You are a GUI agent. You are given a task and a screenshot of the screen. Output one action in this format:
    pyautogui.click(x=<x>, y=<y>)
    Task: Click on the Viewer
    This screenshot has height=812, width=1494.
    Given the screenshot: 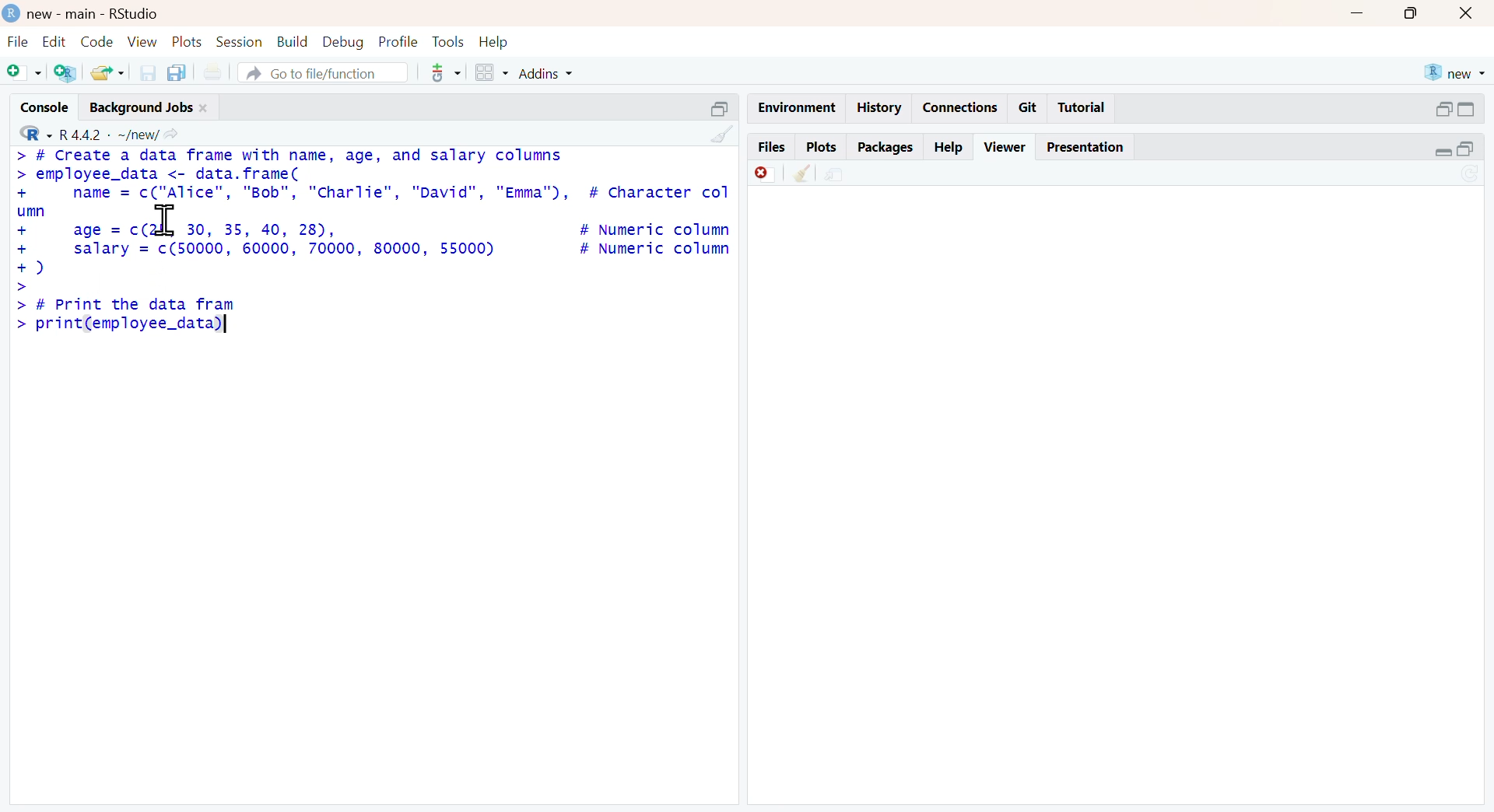 What is the action you would take?
    pyautogui.click(x=1005, y=146)
    